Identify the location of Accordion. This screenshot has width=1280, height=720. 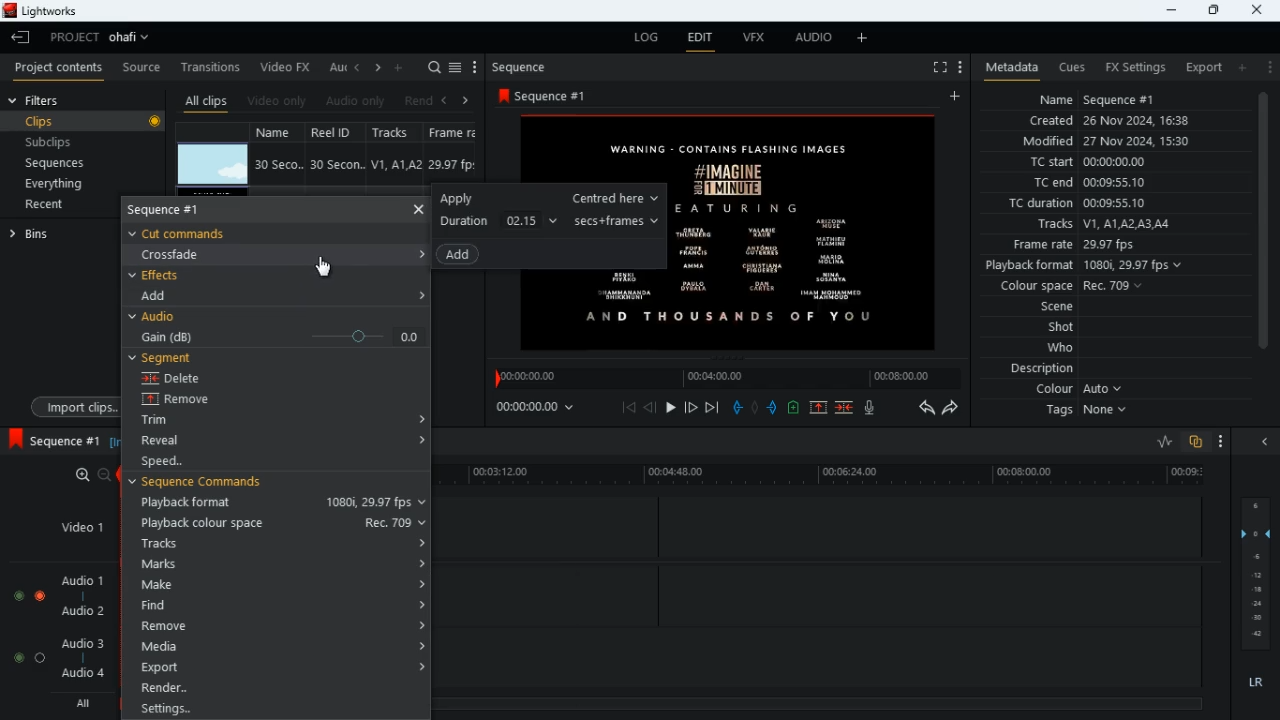
(417, 413).